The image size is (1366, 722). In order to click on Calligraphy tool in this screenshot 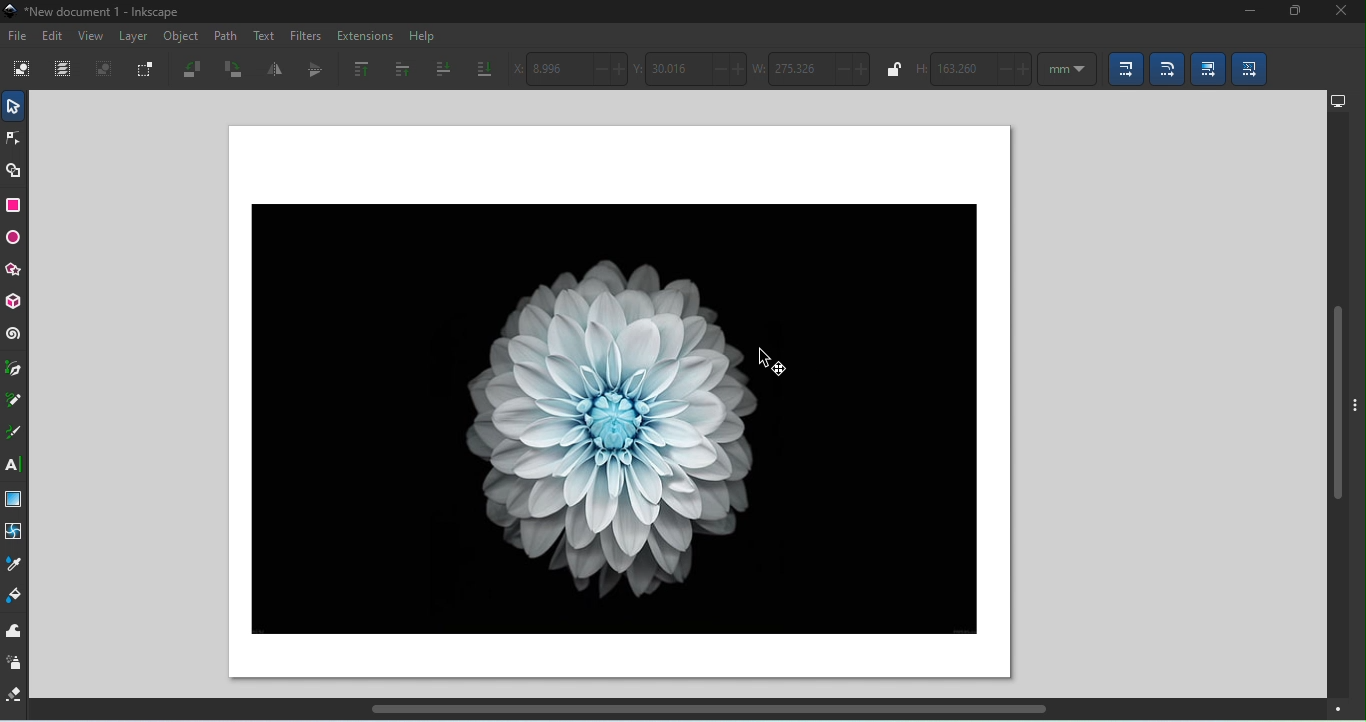, I will do `click(13, 435)`.